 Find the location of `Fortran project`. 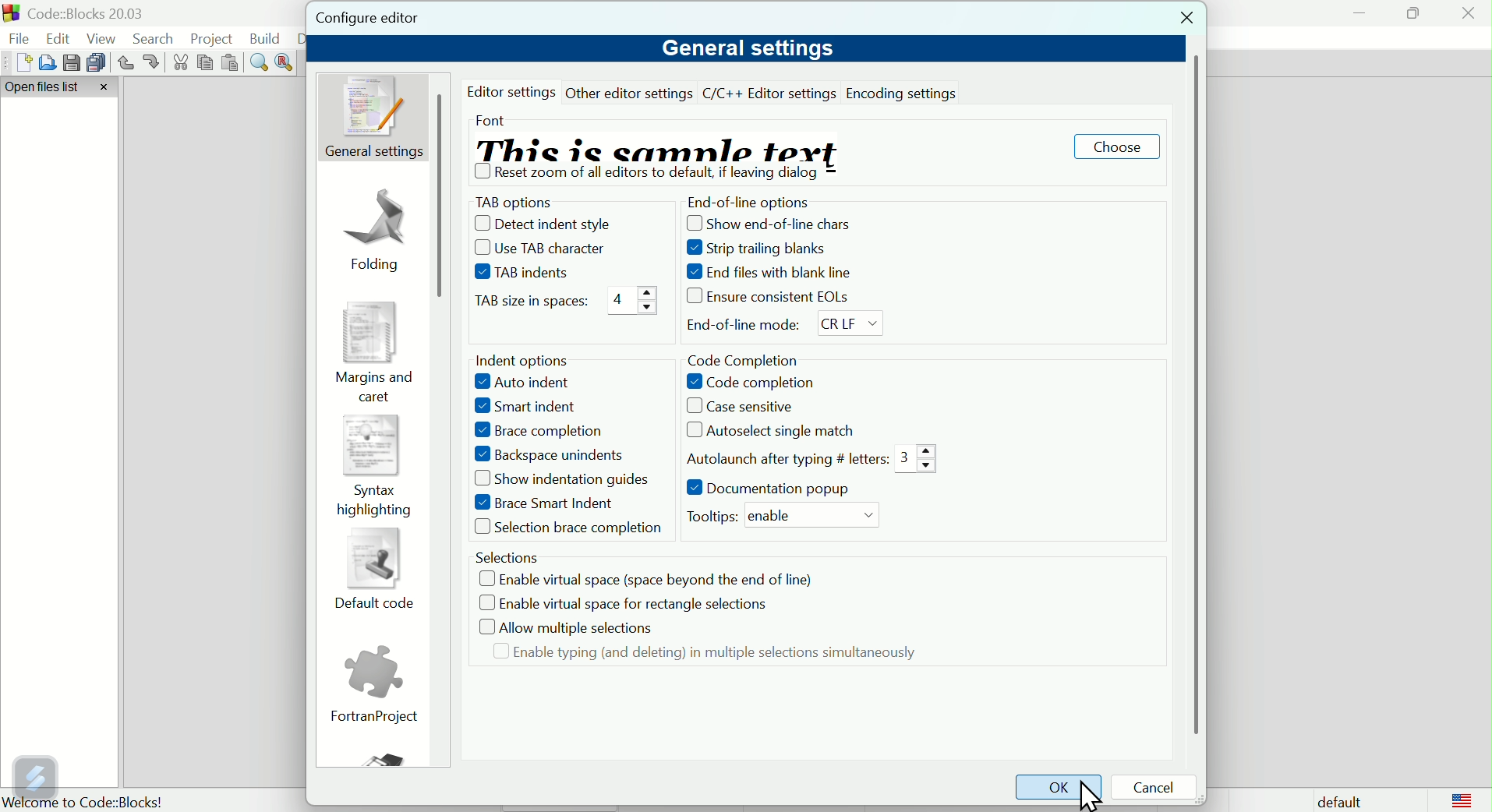

Fortran project is located at coordinates (373, 687).